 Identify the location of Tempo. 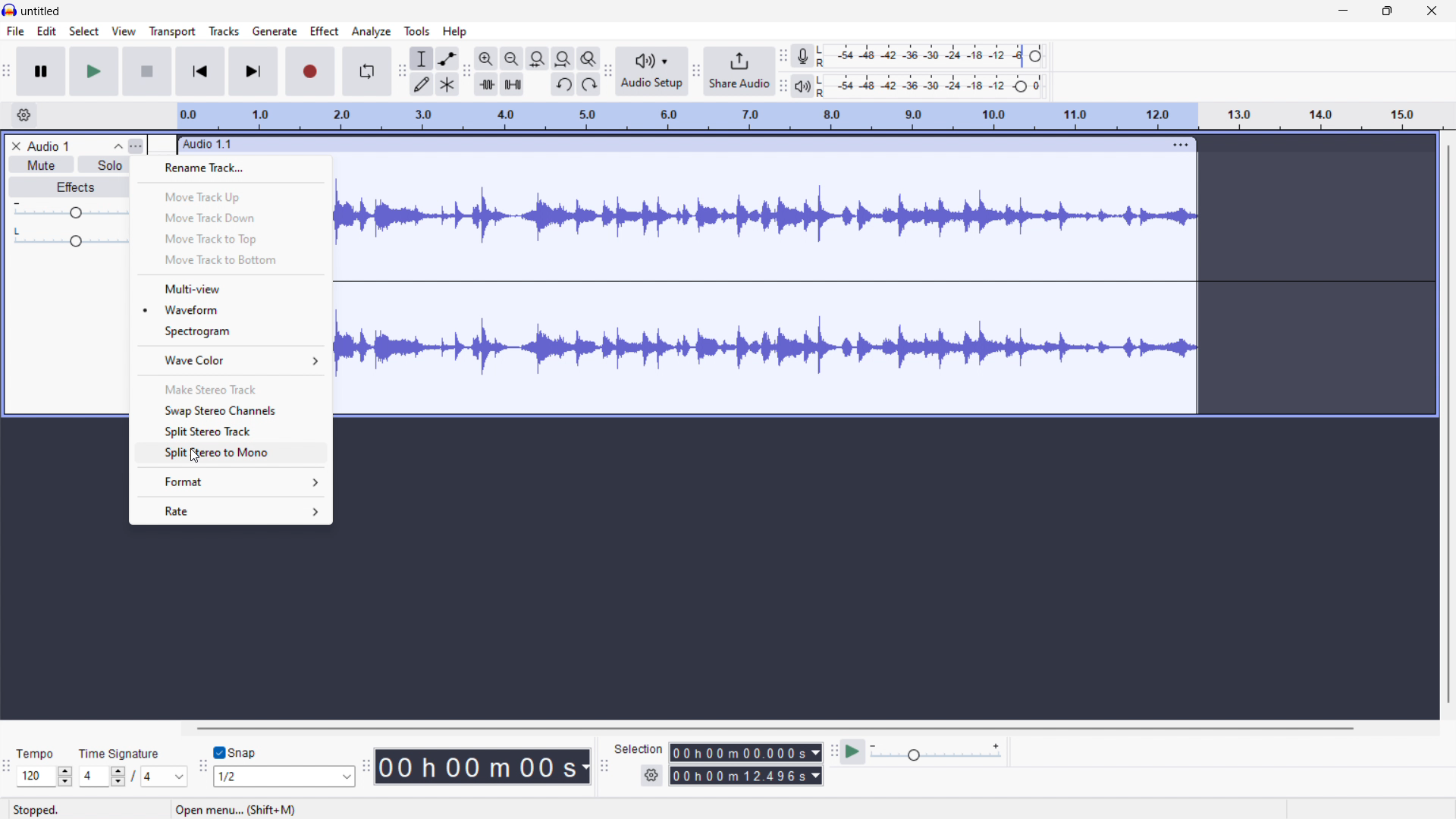
(33, 754).